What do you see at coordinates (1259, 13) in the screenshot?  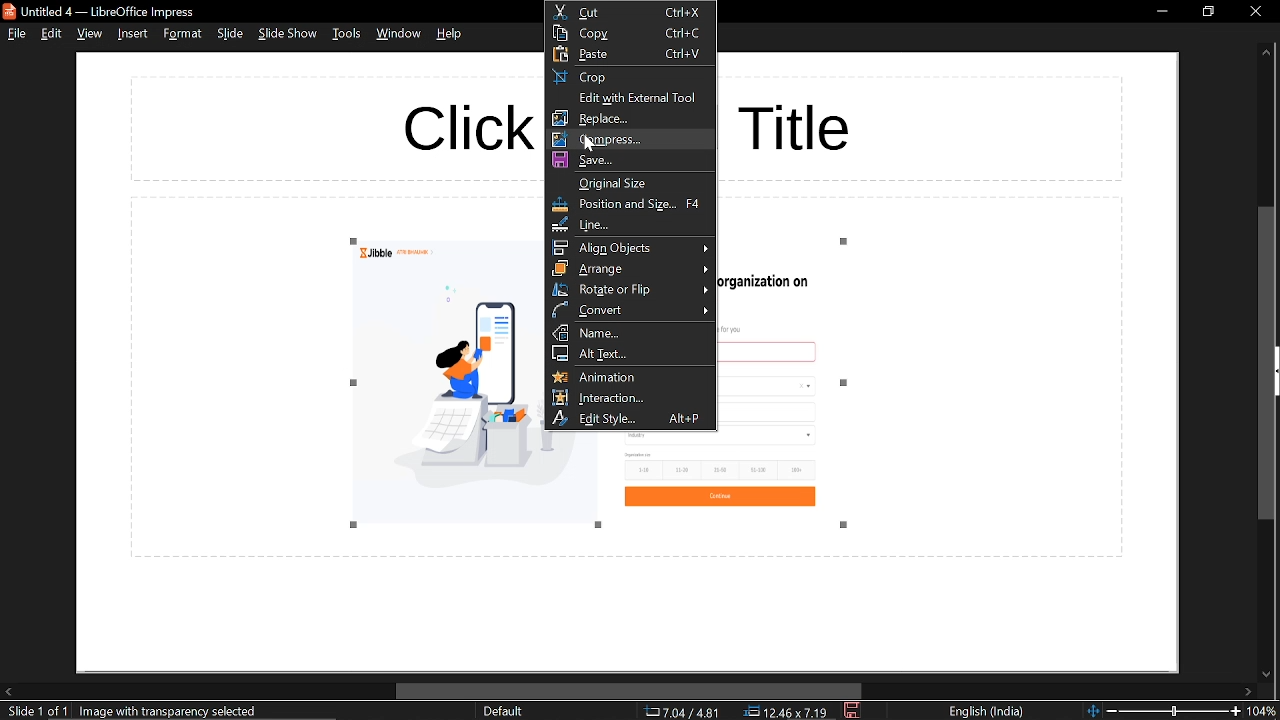 I see `close` at bounding box center [1259, 13].